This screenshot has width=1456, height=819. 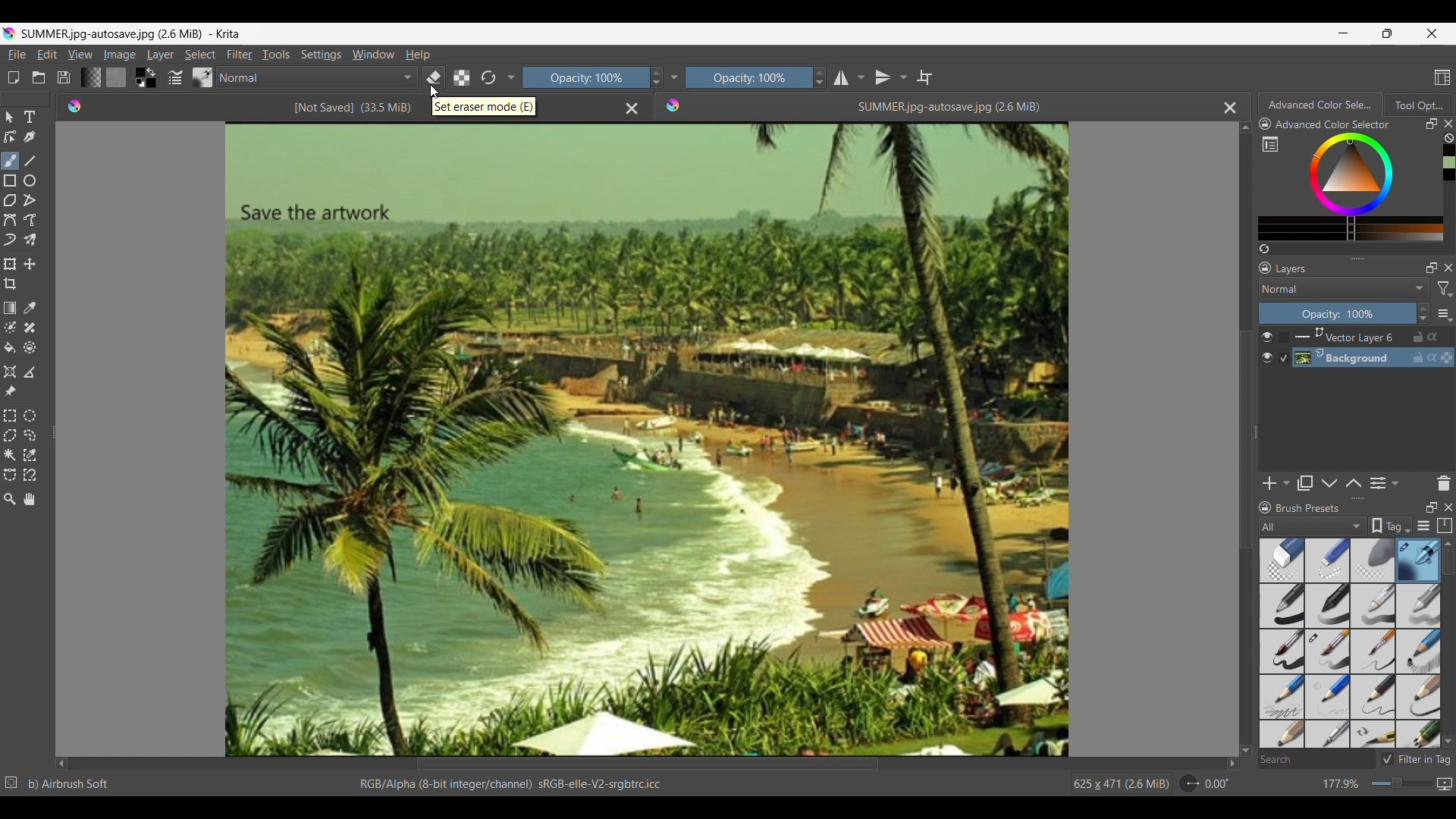 What do you see at coordinates (1312, 526) in the screenshot?
I see `All` at bounding box center [1312, 526].